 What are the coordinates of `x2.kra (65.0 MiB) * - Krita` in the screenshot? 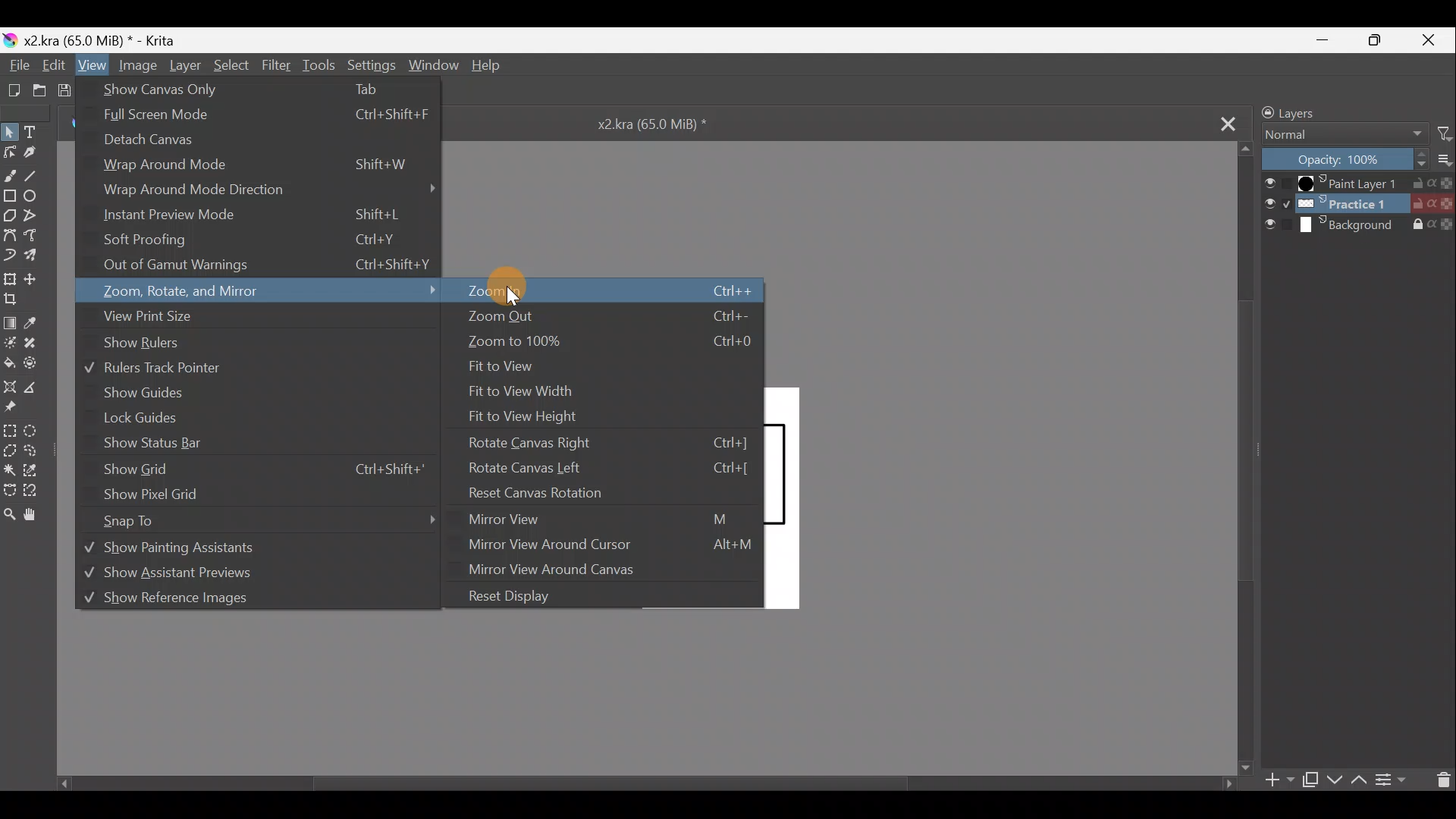 It's located at (104, 39).